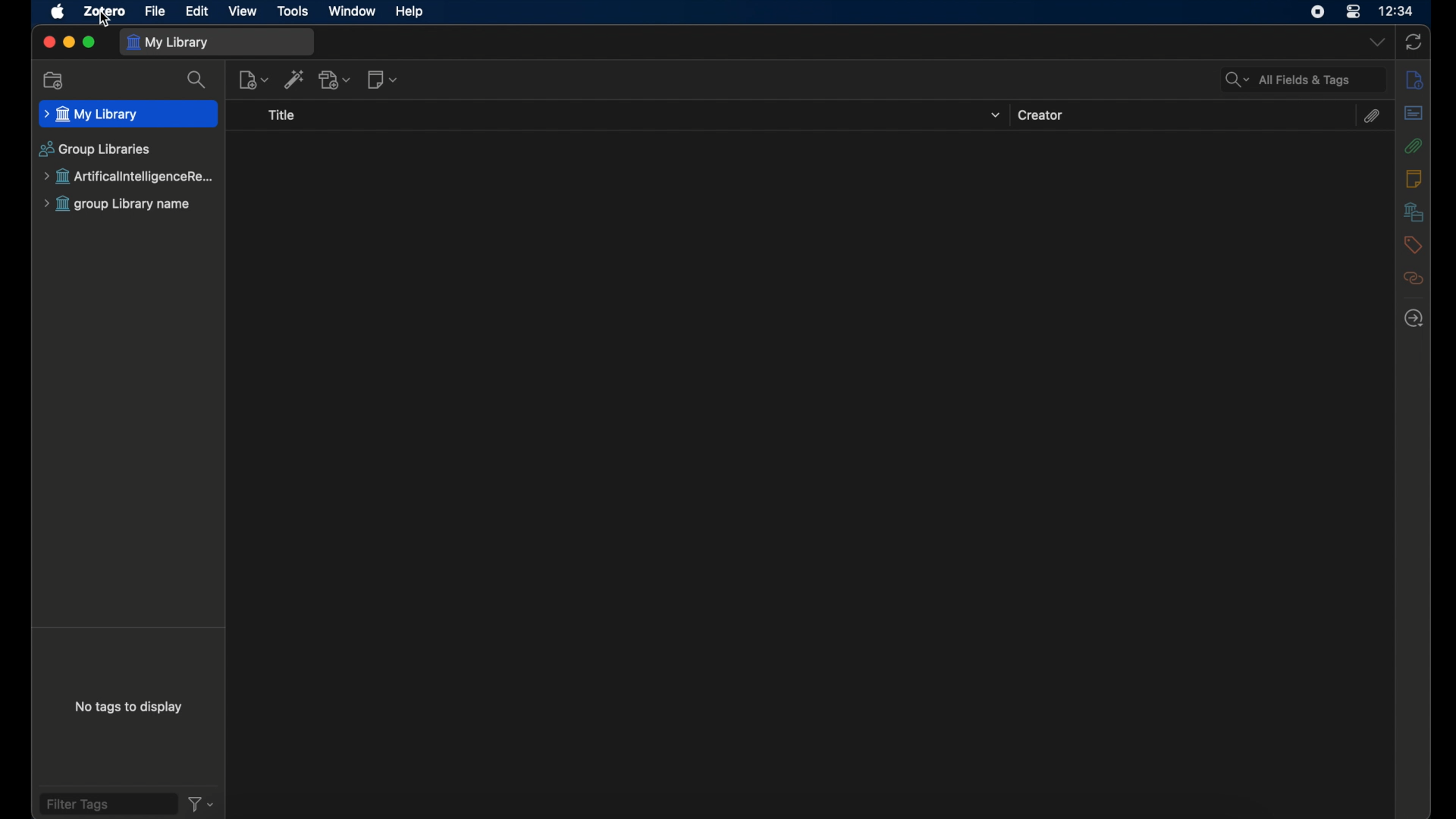 The width and height of the screenshot is (1456, 819). Describe the element at coordinates (1415, 179) in the screenshot. I see `notes` at that location.